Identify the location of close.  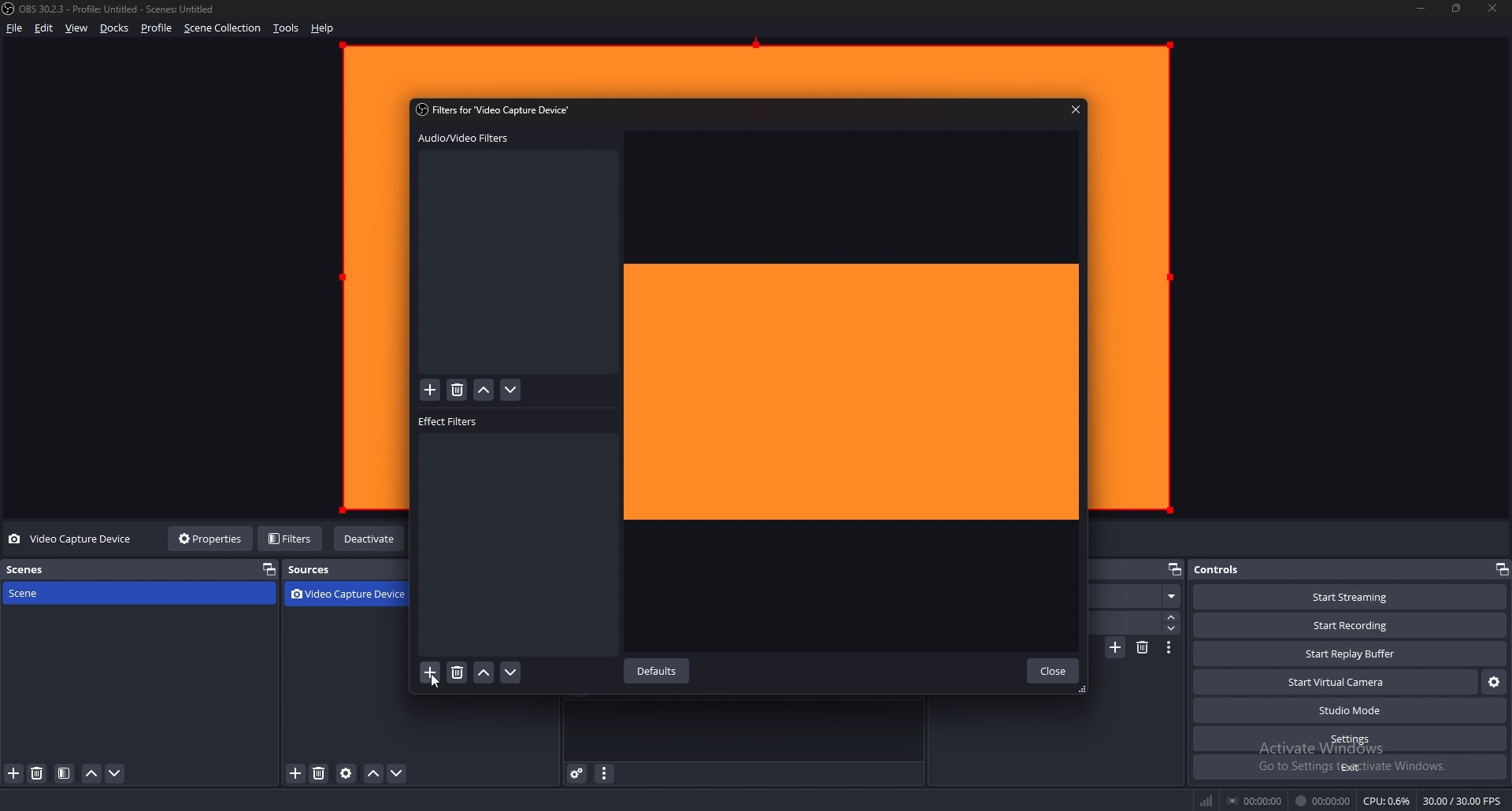
(1494, 9).